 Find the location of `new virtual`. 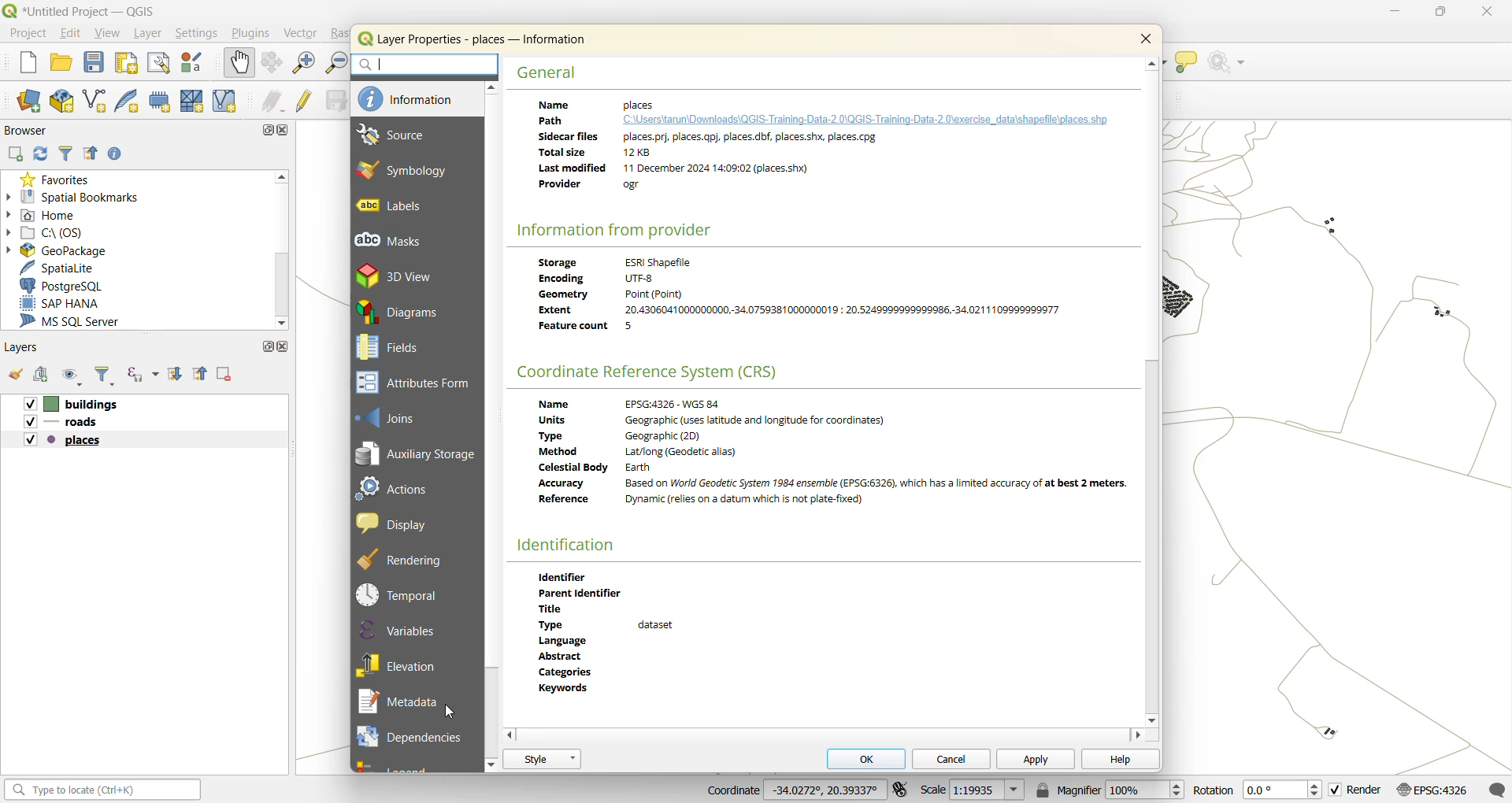

new virtual is located at coordinates (226, 102).